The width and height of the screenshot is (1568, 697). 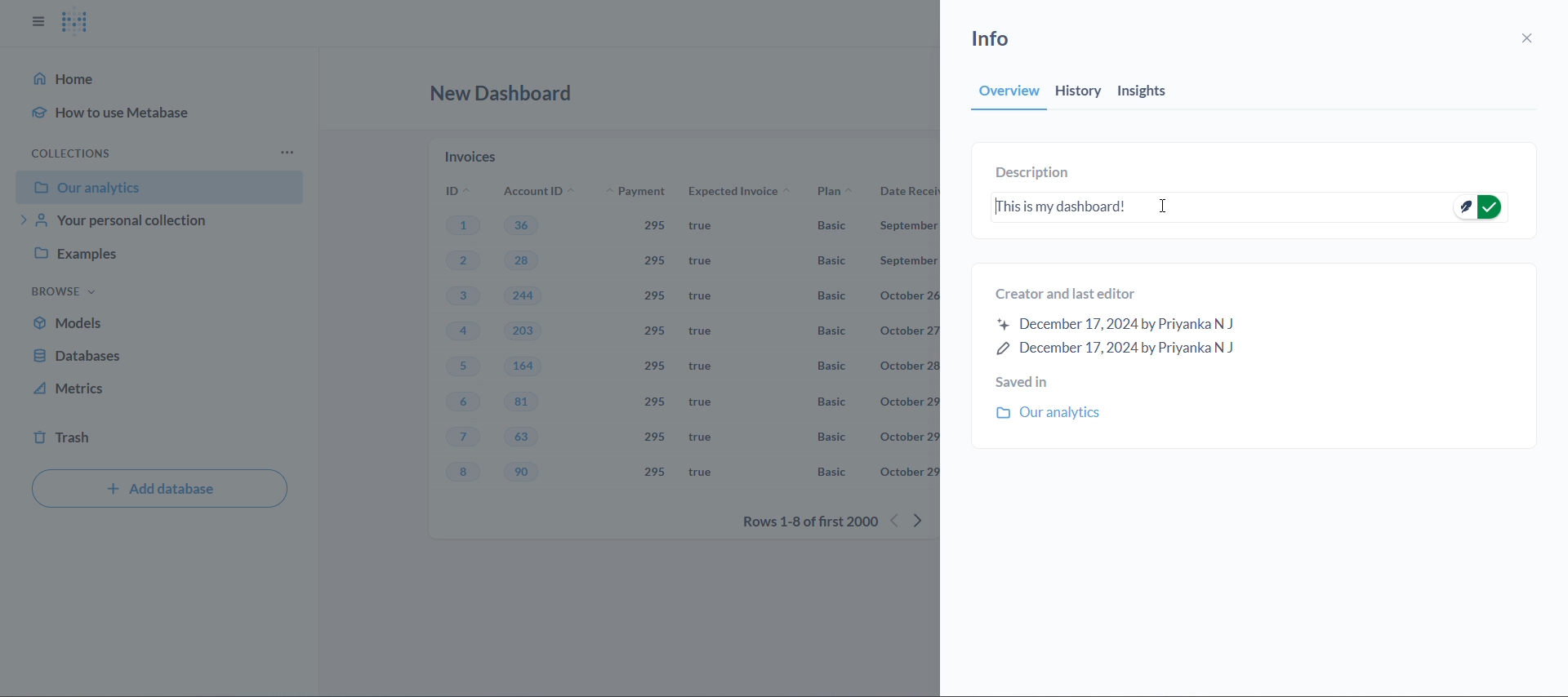 What do you see at coordinates (523, 366) in the screenshot?
I see `164` at bounding box center [523, 366].